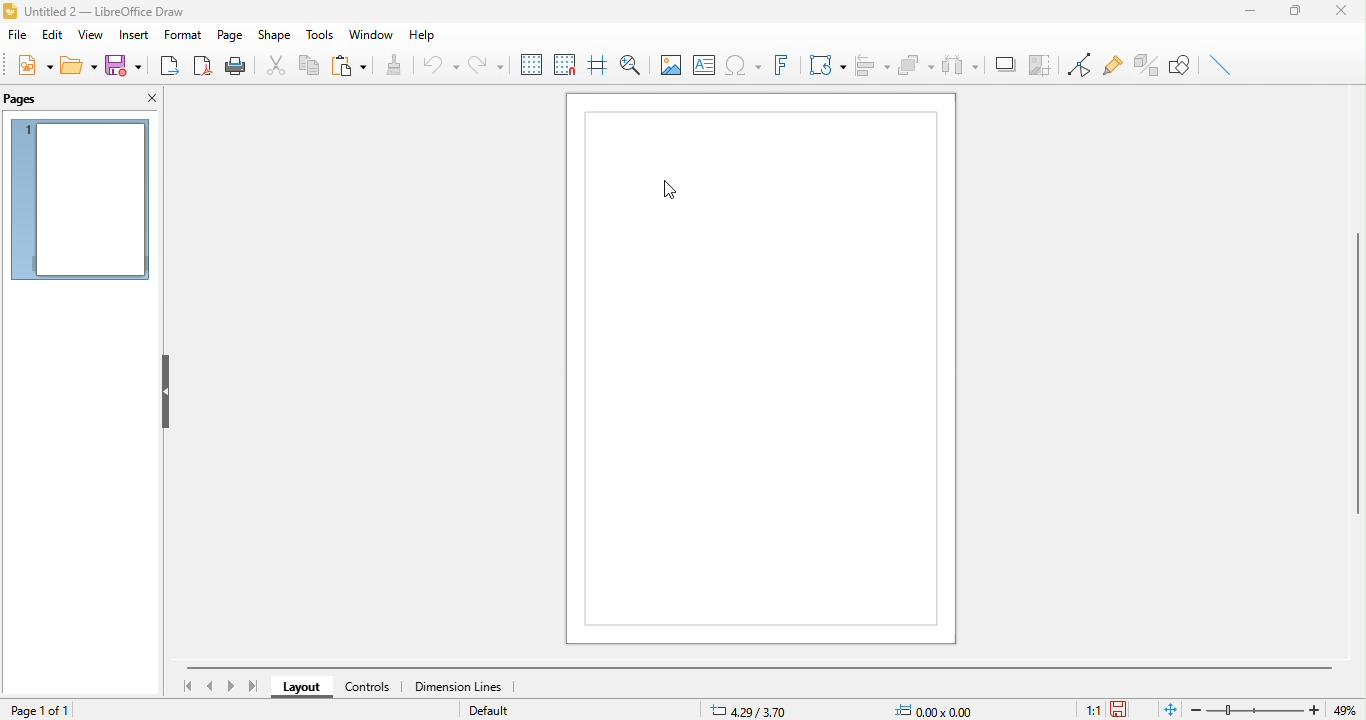 The height and width of the screenshot is (720, 1366). I want to click on copy, so click(311, 66).